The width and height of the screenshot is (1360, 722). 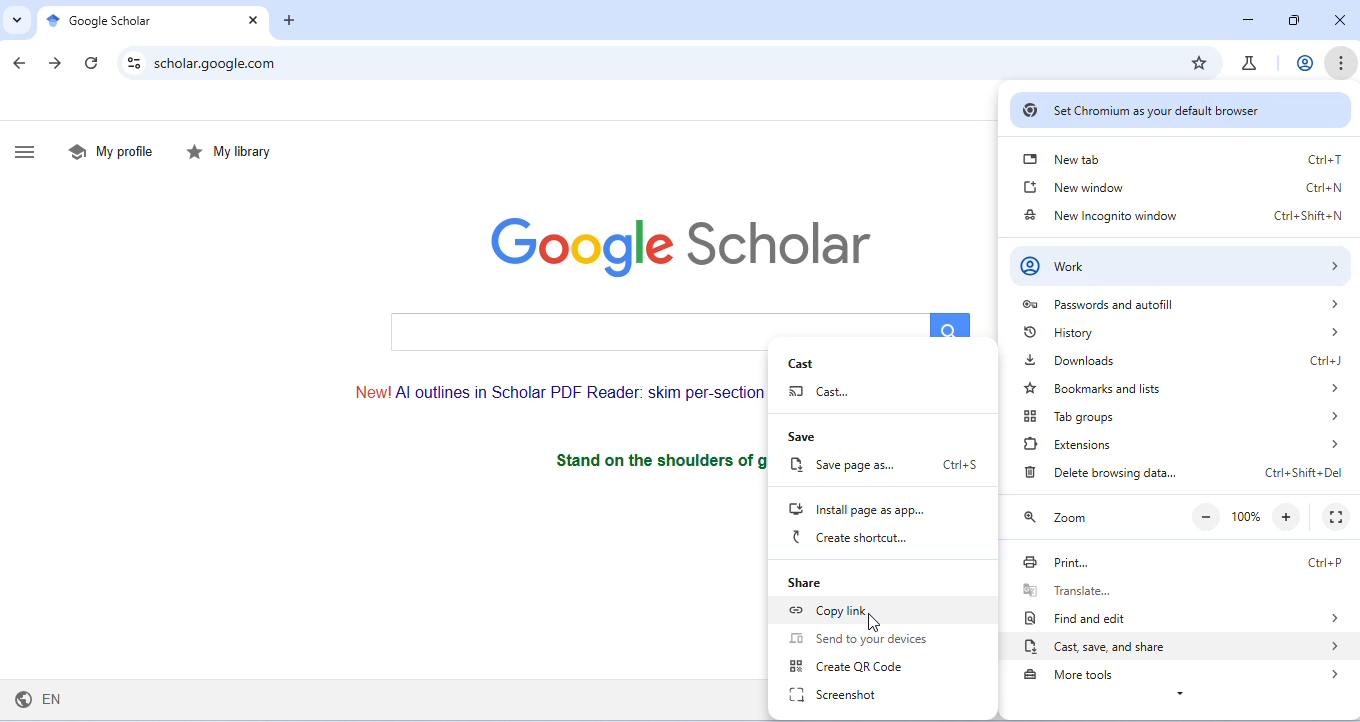 What do you see at coordinates (1198, 62) in the screenshot?
I see `add bookmark` at bounding box center [1198, 62].